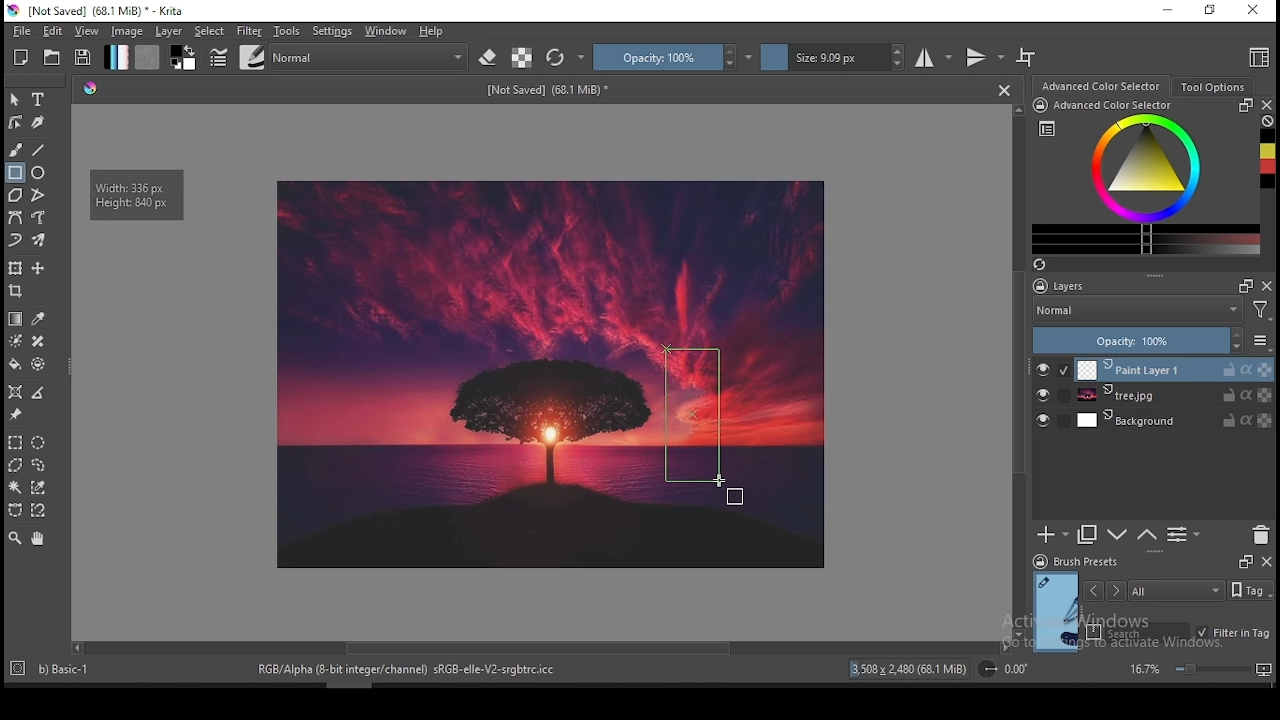  I want to click on blending mode, so click(371, 56).